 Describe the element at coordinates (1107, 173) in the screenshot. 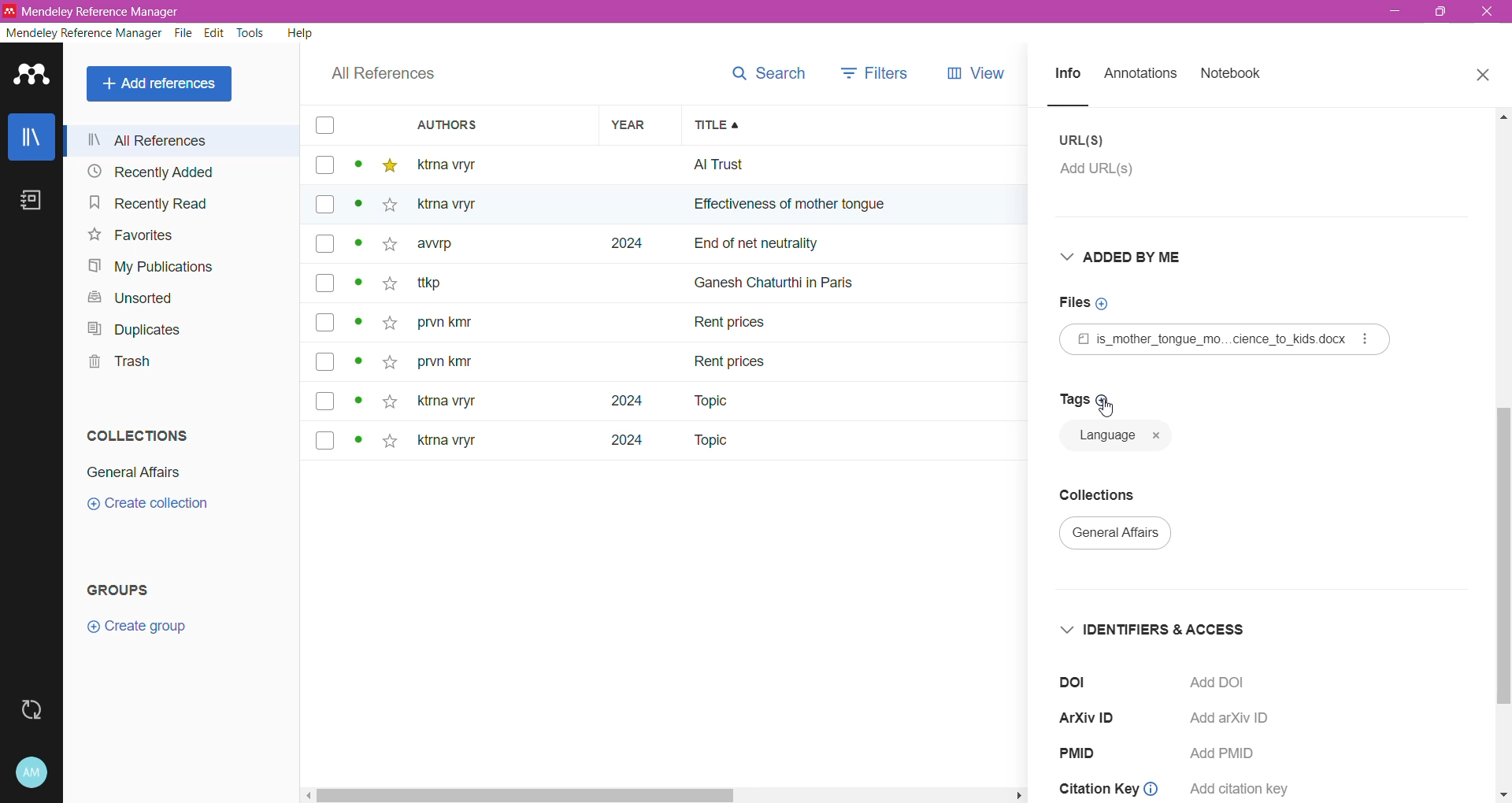

I see `Click to add URL(s)` at that location.